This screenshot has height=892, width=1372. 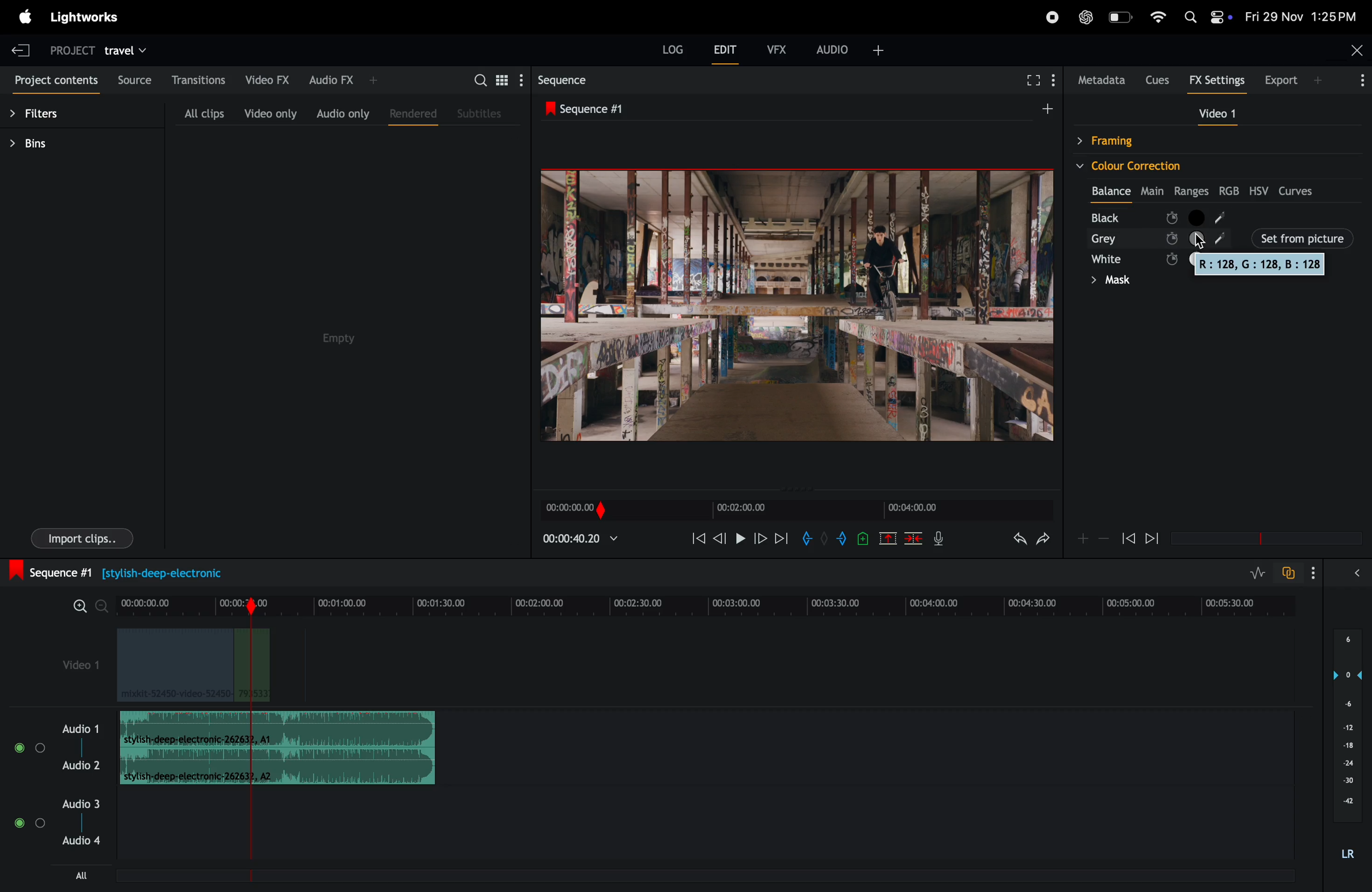 What do you see at coordinates (1054, 78) in the screenshot?
I see `show menu` at bounding box center [1054, 78].